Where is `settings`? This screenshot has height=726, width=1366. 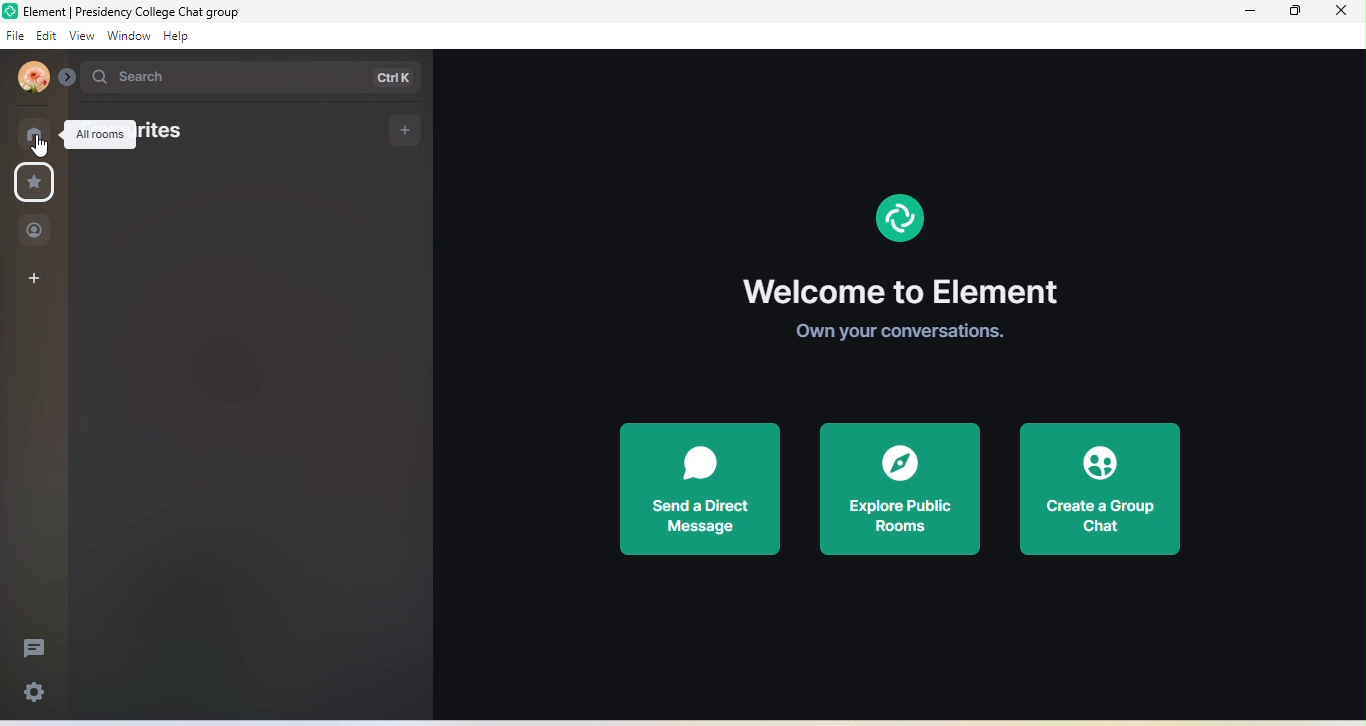
settings is located at coordinates (36, 695).